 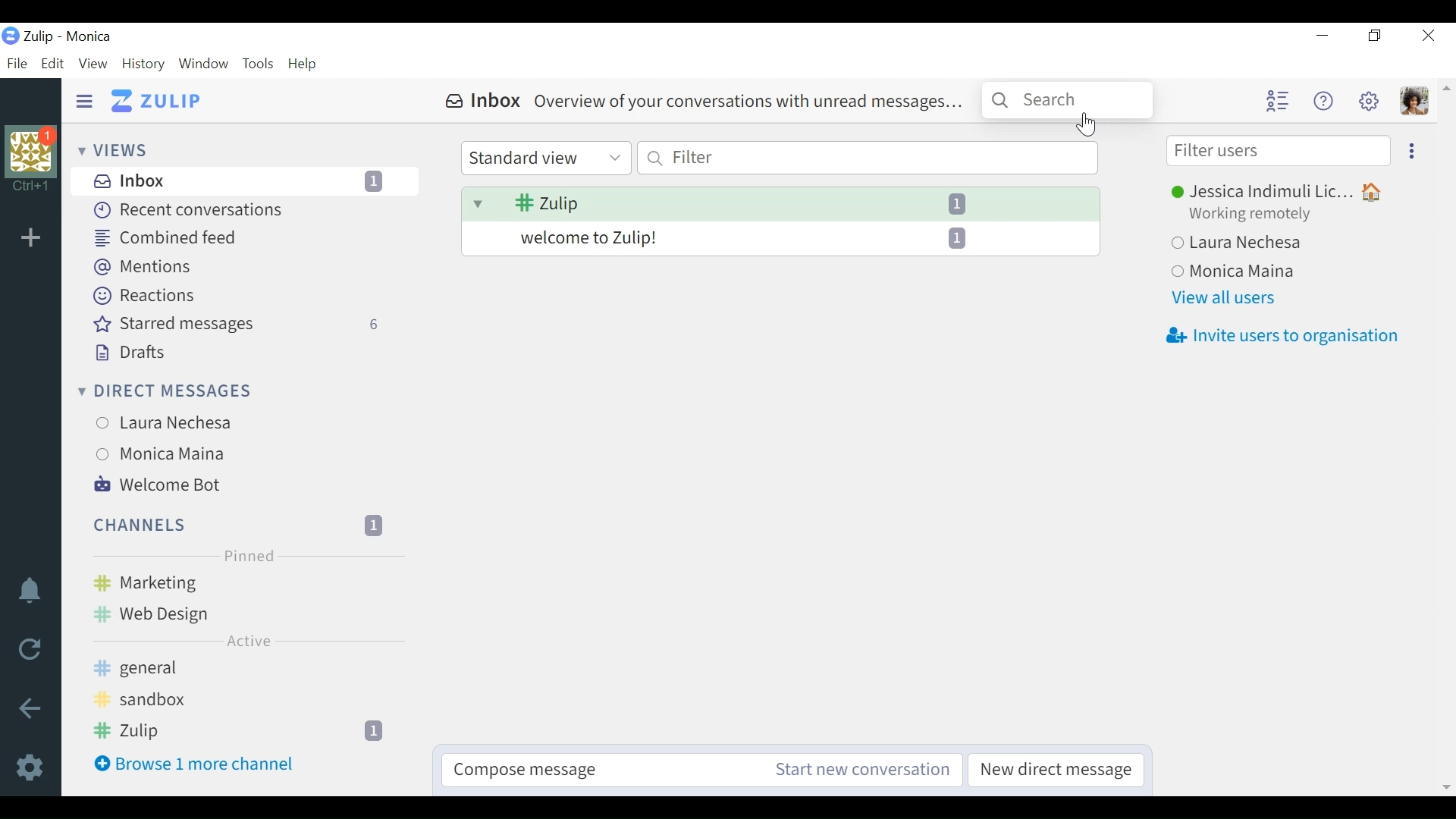 I want to click on Pinned, so click(x=249, y=556).